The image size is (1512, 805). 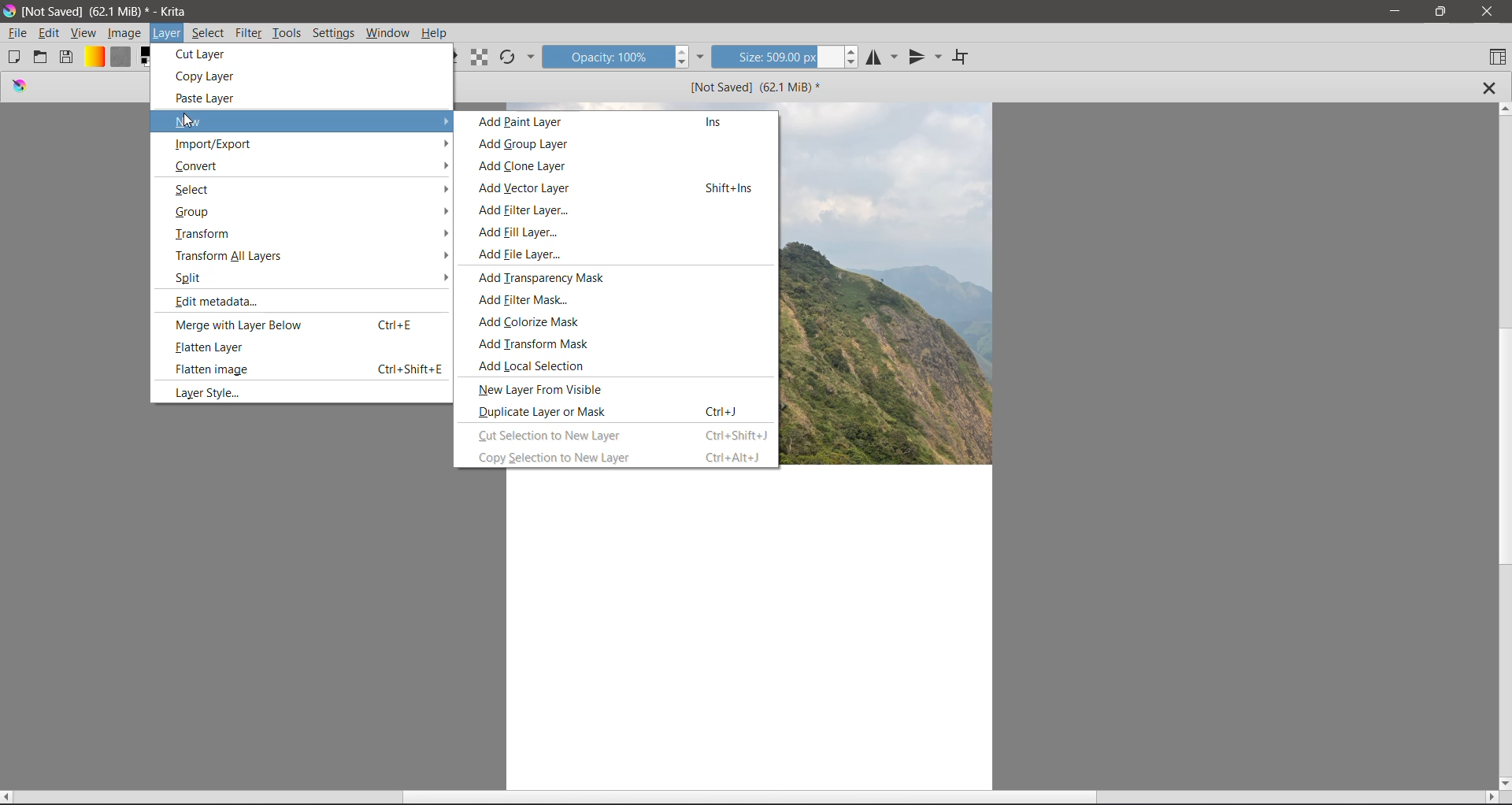 I want to click on Paste Layer, so click(x=209, y=98).